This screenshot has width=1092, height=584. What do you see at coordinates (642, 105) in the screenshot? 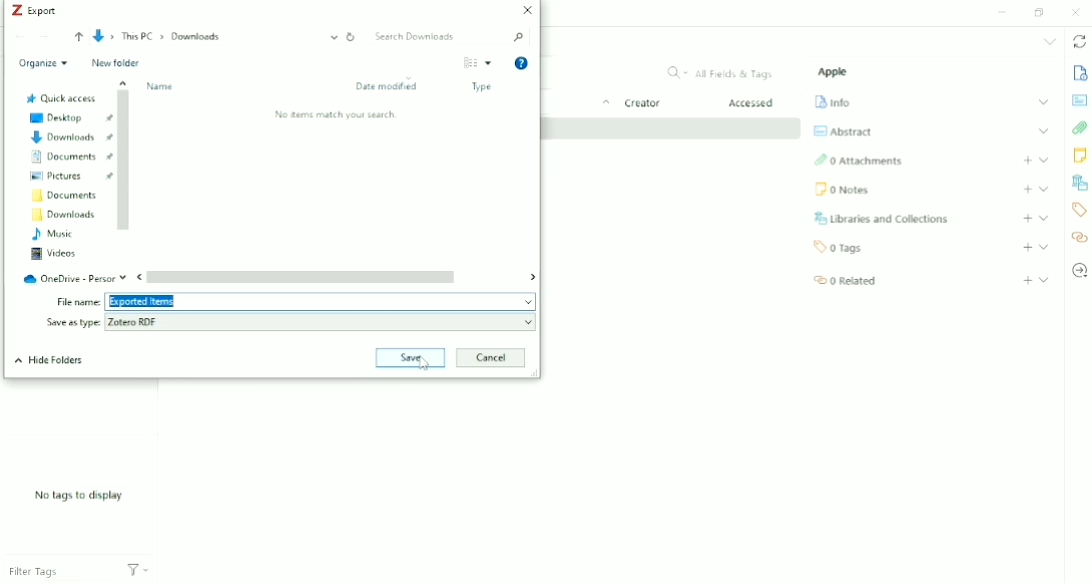
I see `Creator` at bounding box center [642, 105].